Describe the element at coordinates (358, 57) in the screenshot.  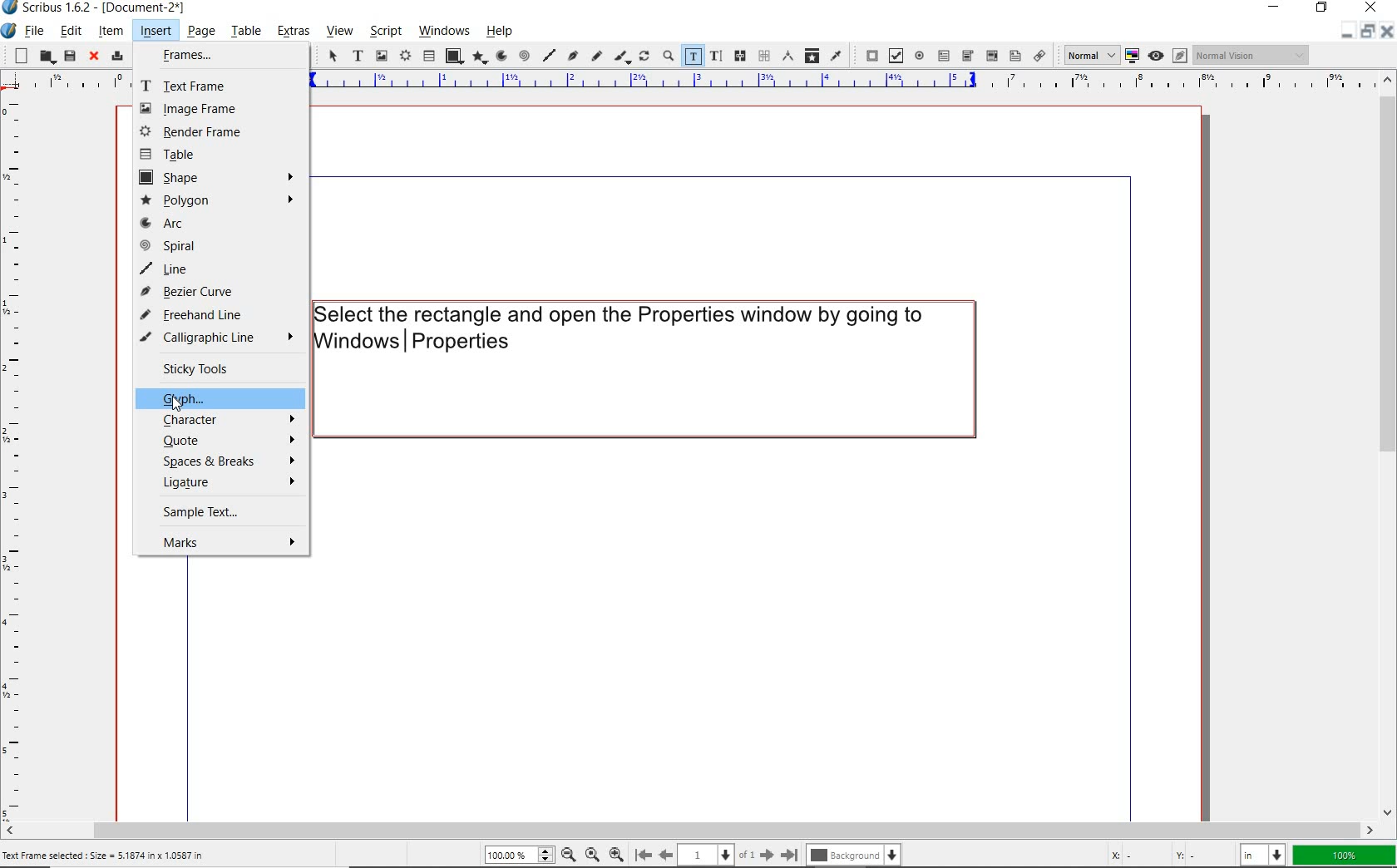
I see `text frame` at that location.